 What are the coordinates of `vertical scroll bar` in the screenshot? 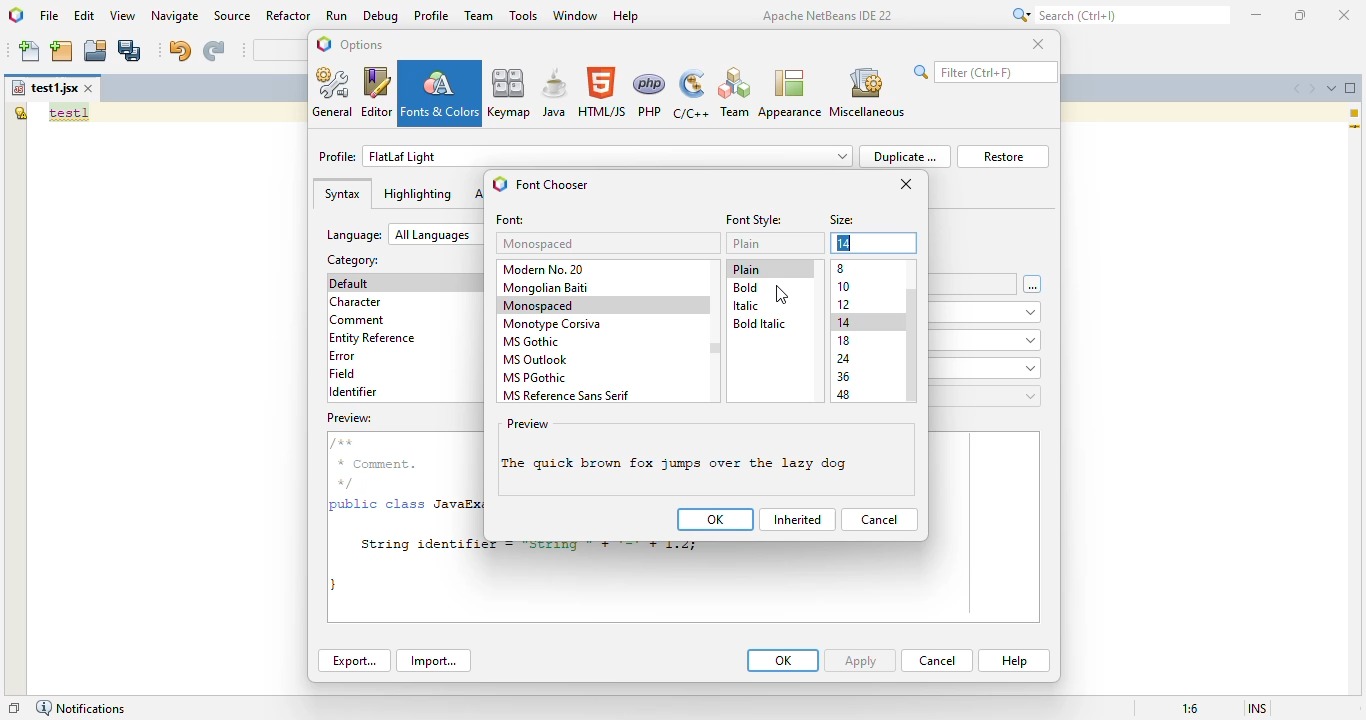 It's located at (715, 347).